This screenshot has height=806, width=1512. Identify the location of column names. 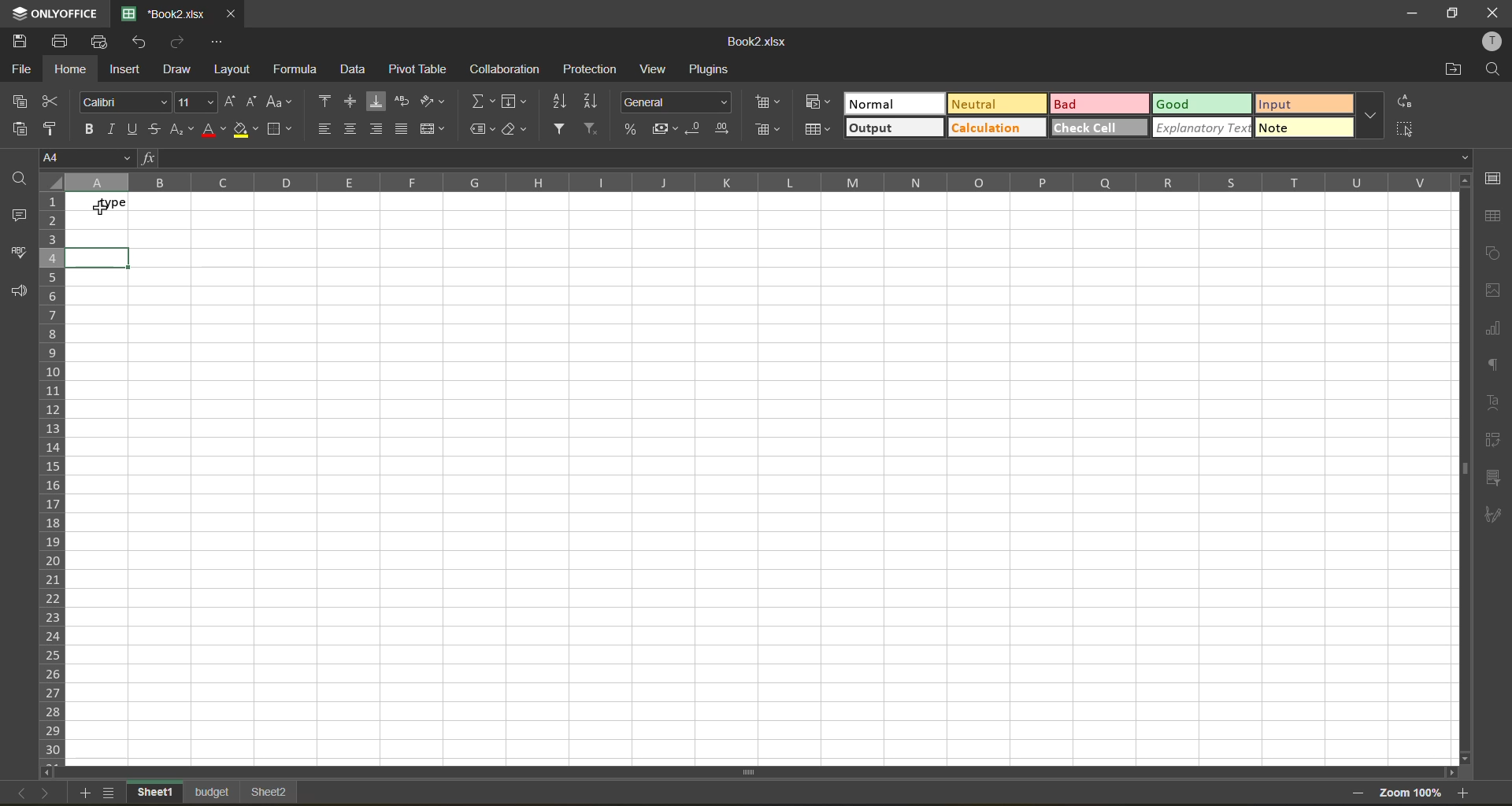
(758, 181).